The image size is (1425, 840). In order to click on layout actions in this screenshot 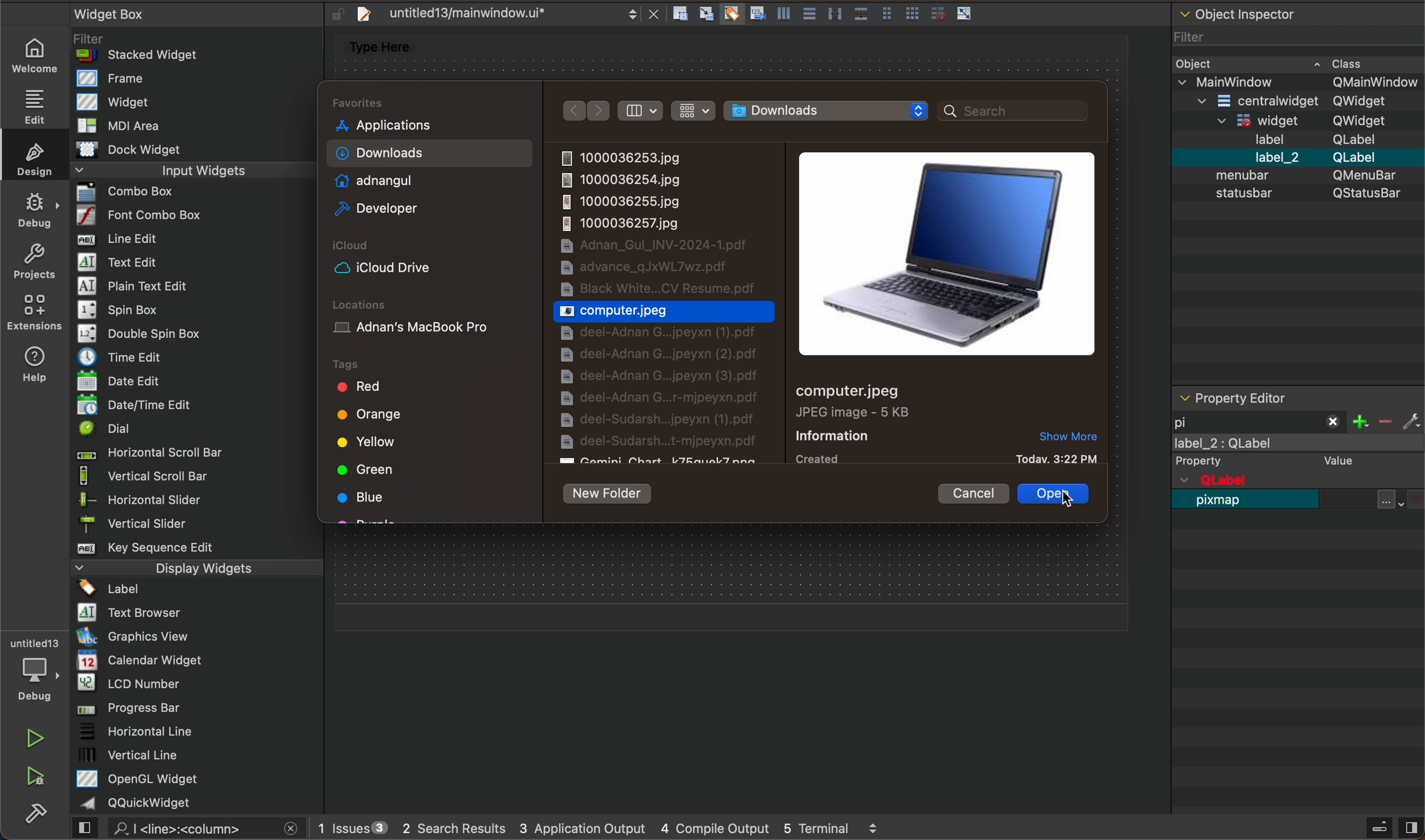, I will do `click(828, 16)`.